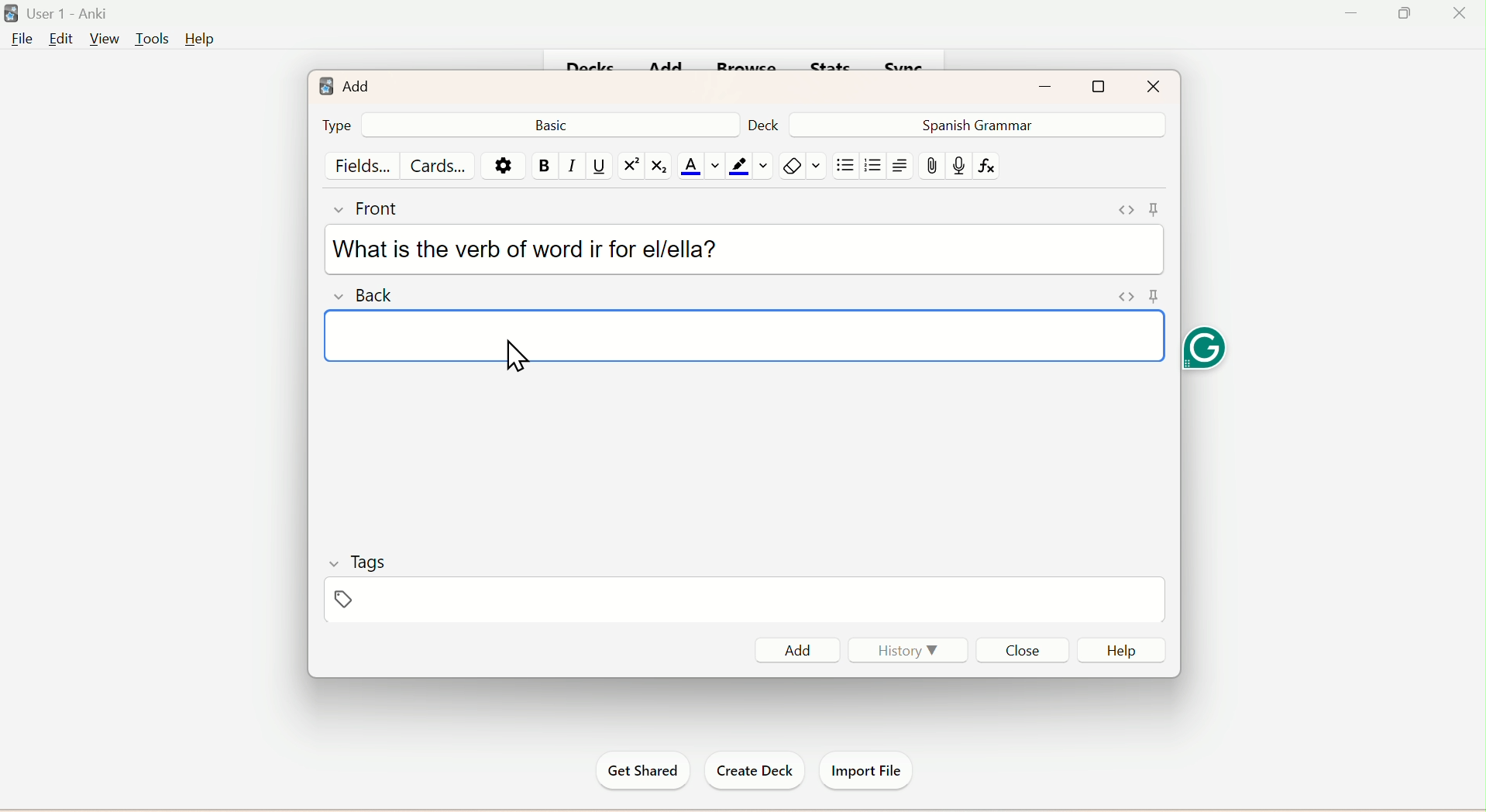 This screenshot has height=812, width=1486. Describe the element at coordinates (1021, 649) in the screenshot. I see `Close` at that location.